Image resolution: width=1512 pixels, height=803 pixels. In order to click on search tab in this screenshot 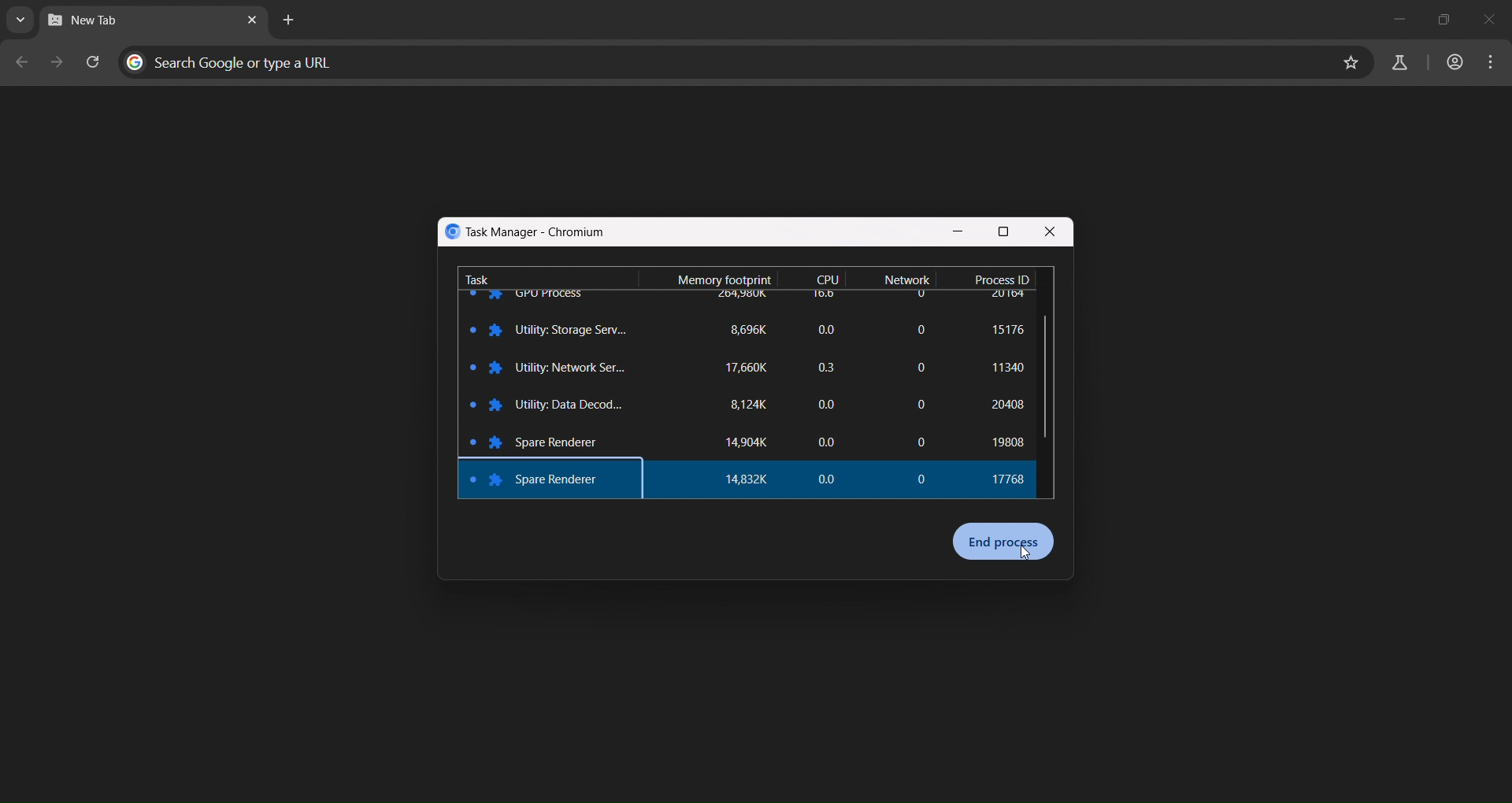, I will do `click(21, 23)`.